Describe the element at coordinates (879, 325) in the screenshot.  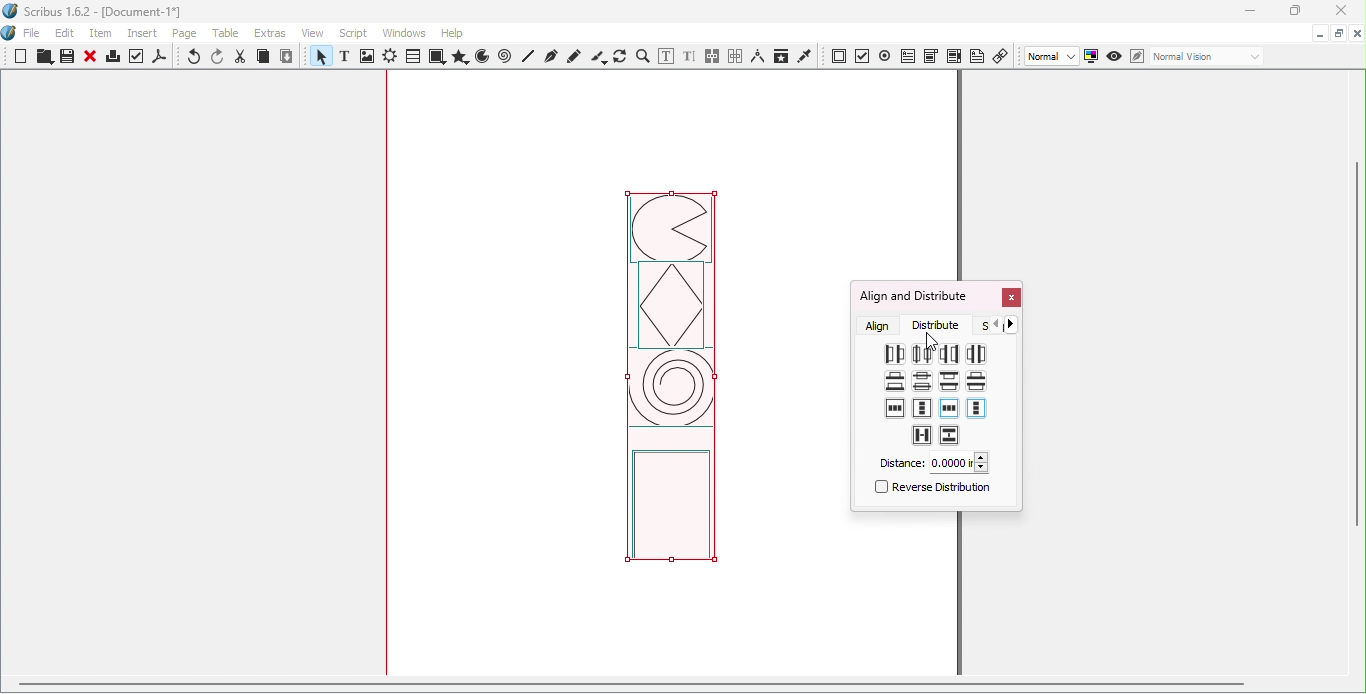
I see `Align` at that location.